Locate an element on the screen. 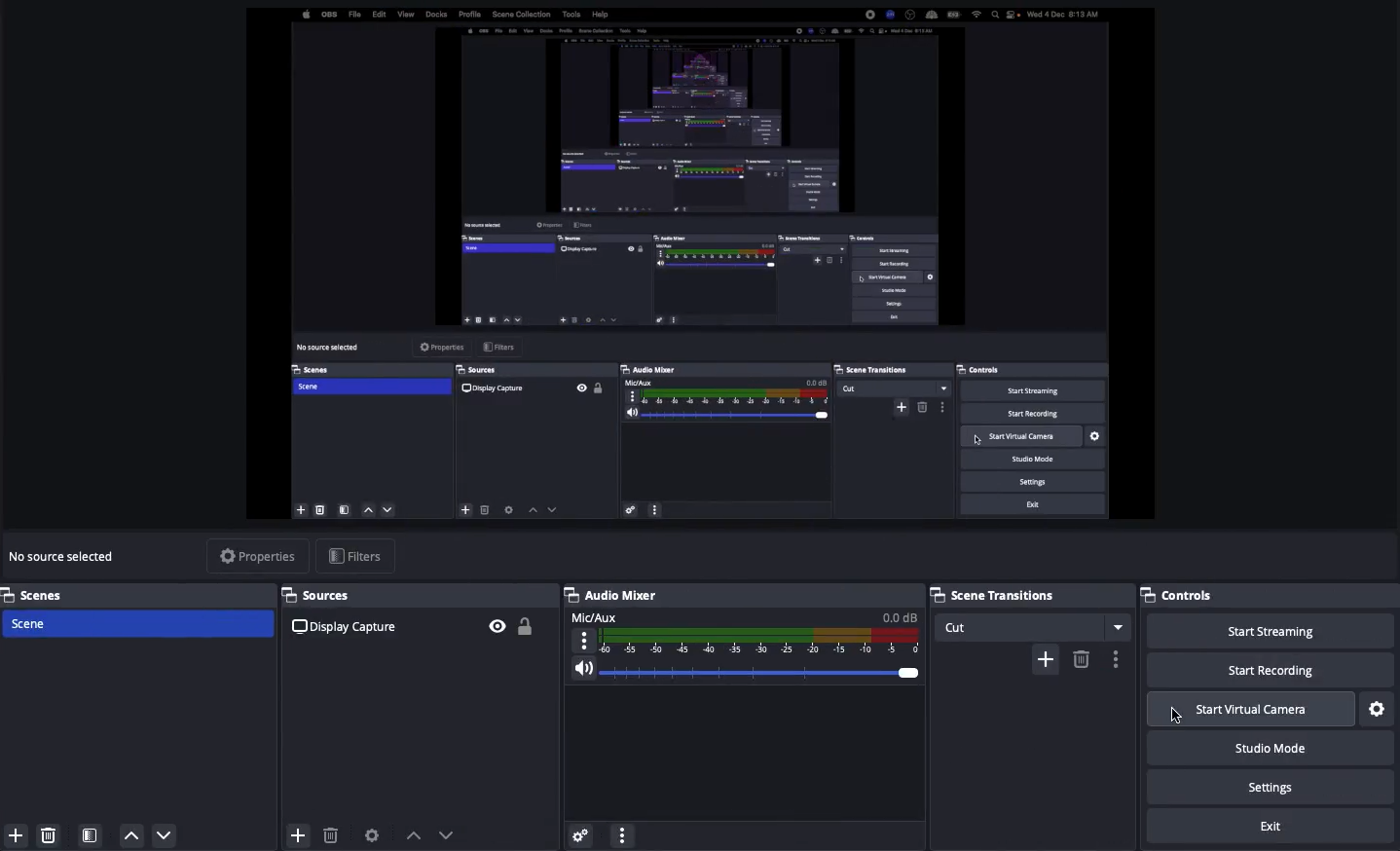 The image size is (1400, 851). Display capture is located at coordinates (346, 627).